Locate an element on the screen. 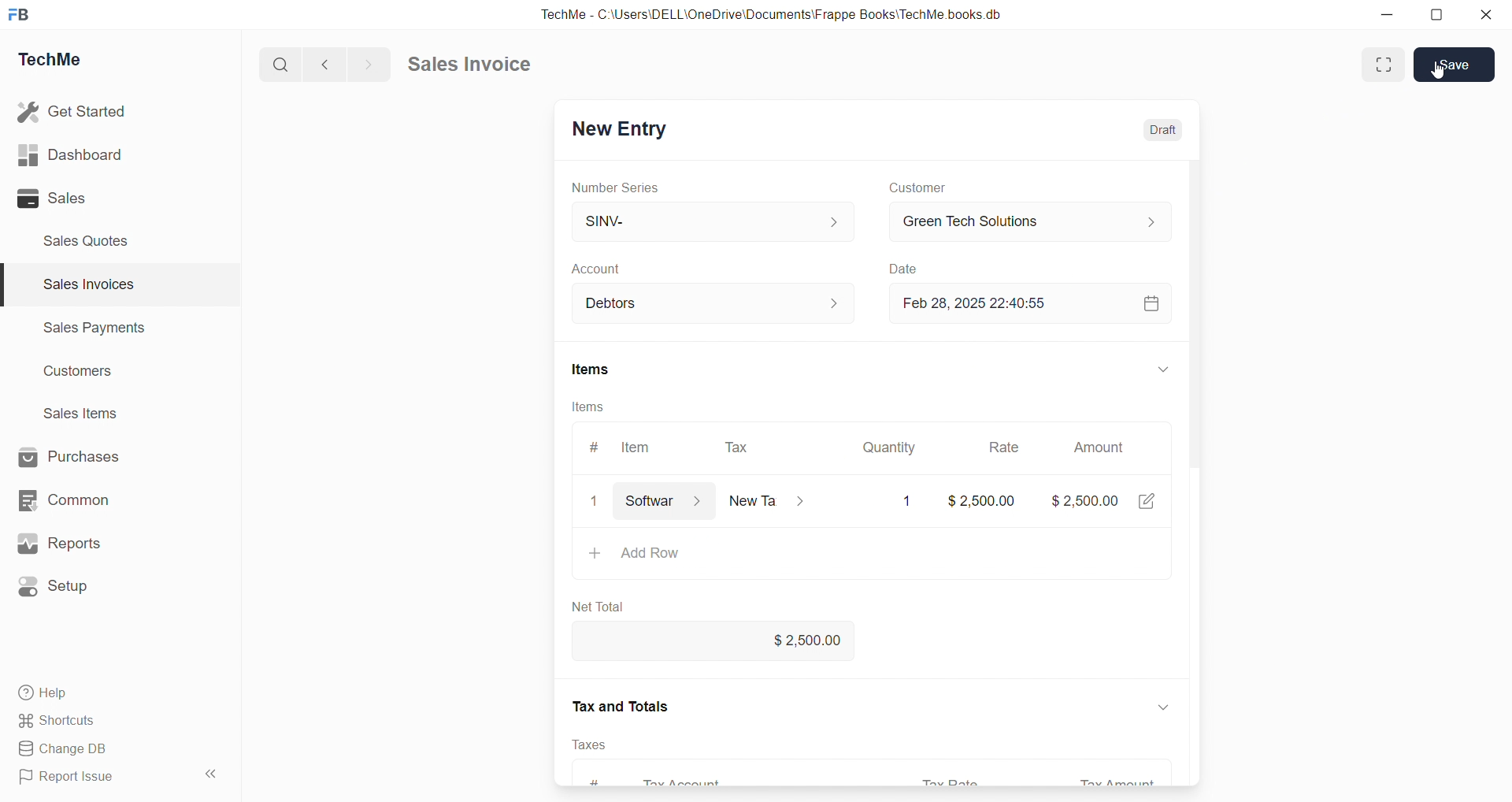 Image resolution: width=1512 pixels, height=802 pixels. Quantity is located at coordinates (889, 448).